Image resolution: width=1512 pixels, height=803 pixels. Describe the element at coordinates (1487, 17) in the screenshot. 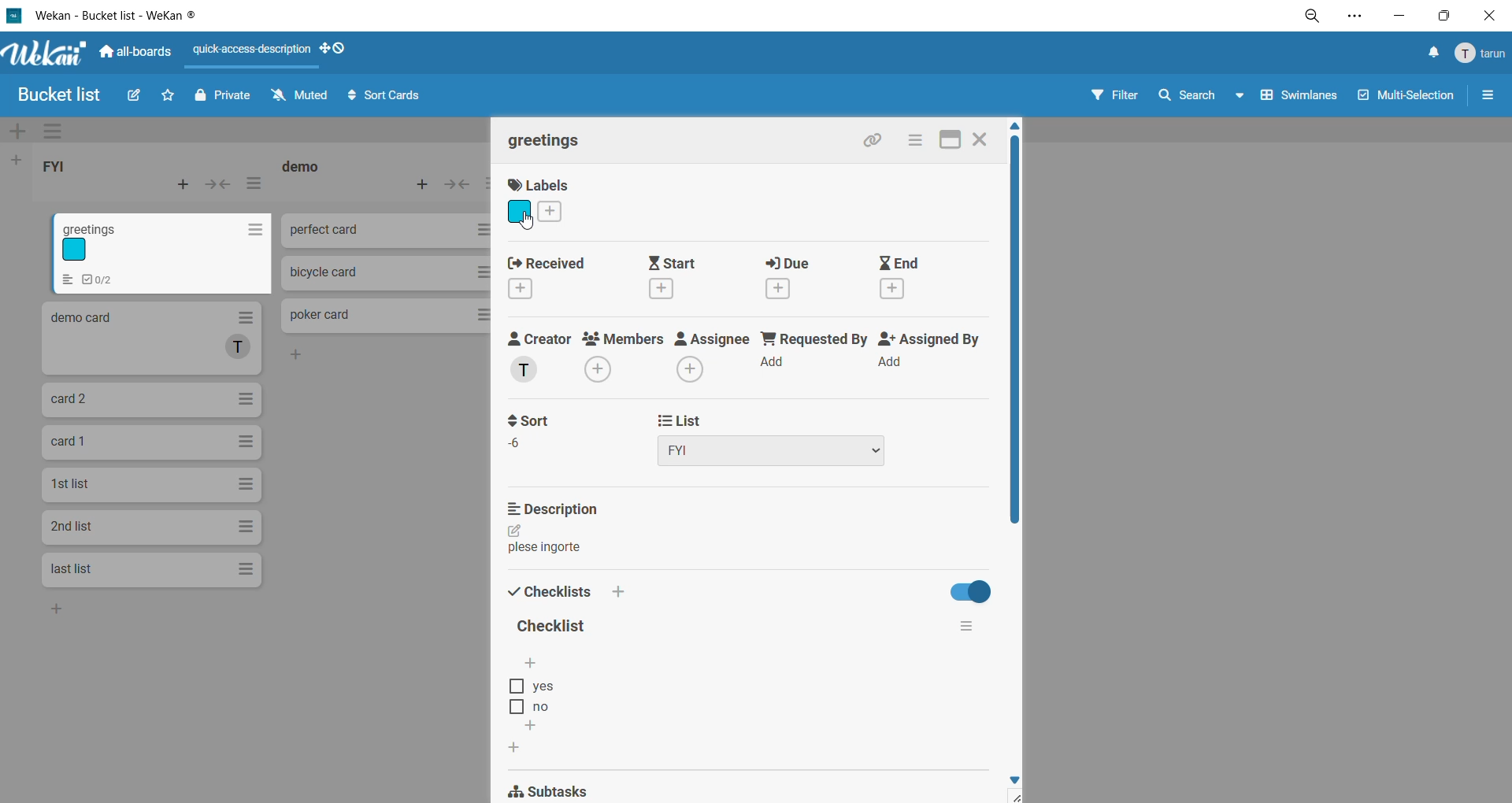

I see `close` at that location.